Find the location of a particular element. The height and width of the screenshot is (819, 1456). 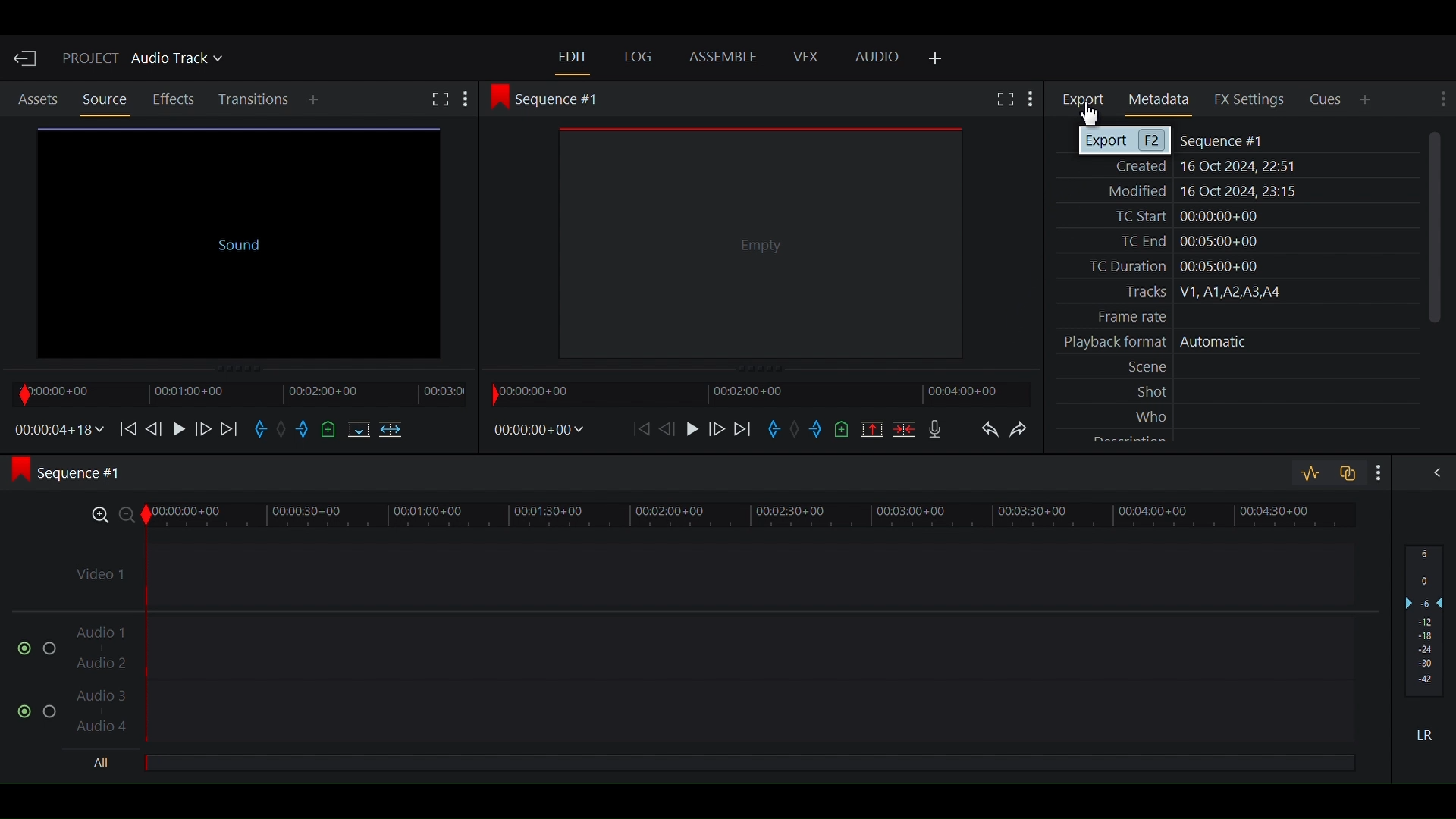

Project Audio Track is located at coordinates (144, 61).